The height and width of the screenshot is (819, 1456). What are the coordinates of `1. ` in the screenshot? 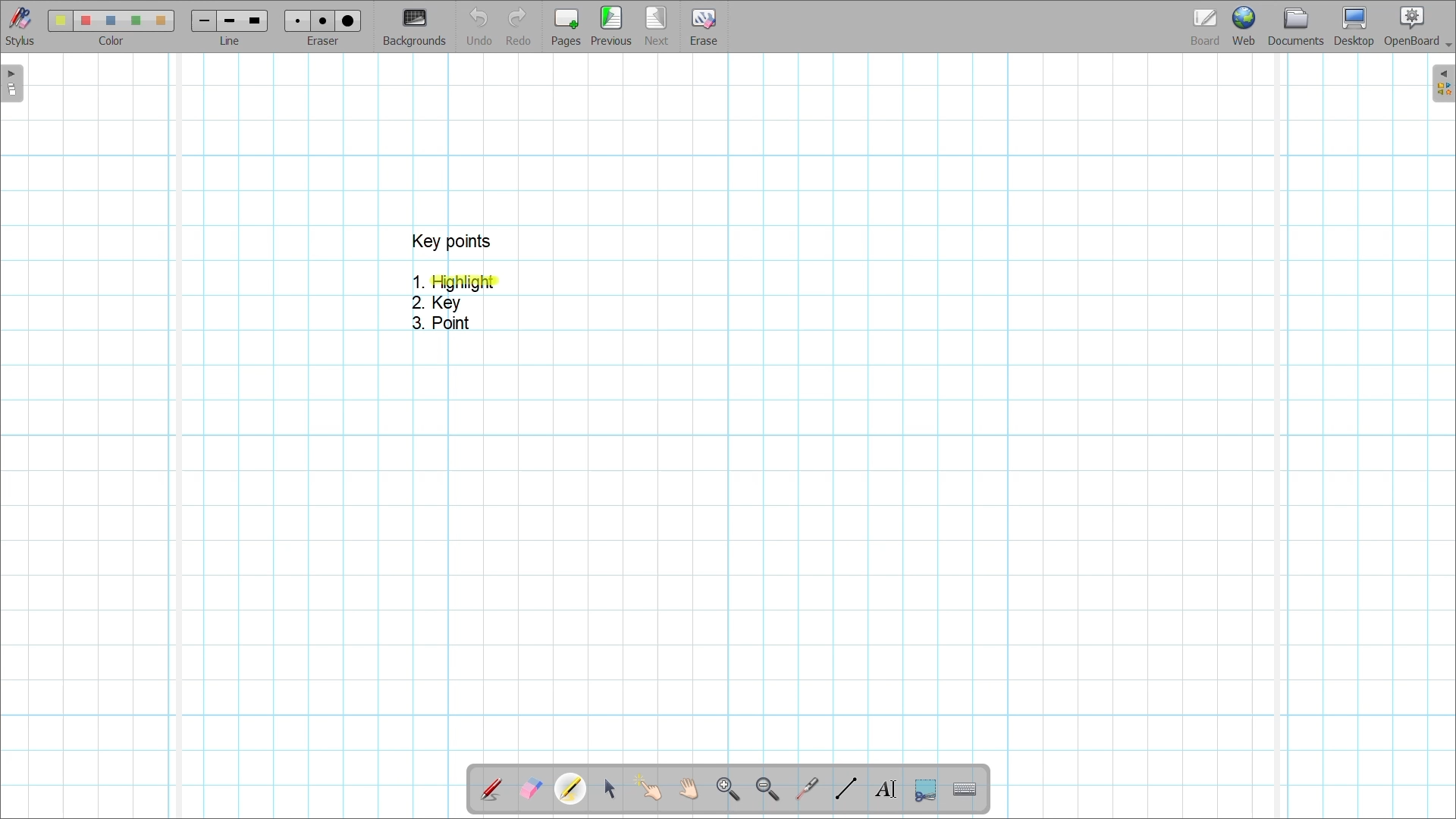 It's located at (418, 281).